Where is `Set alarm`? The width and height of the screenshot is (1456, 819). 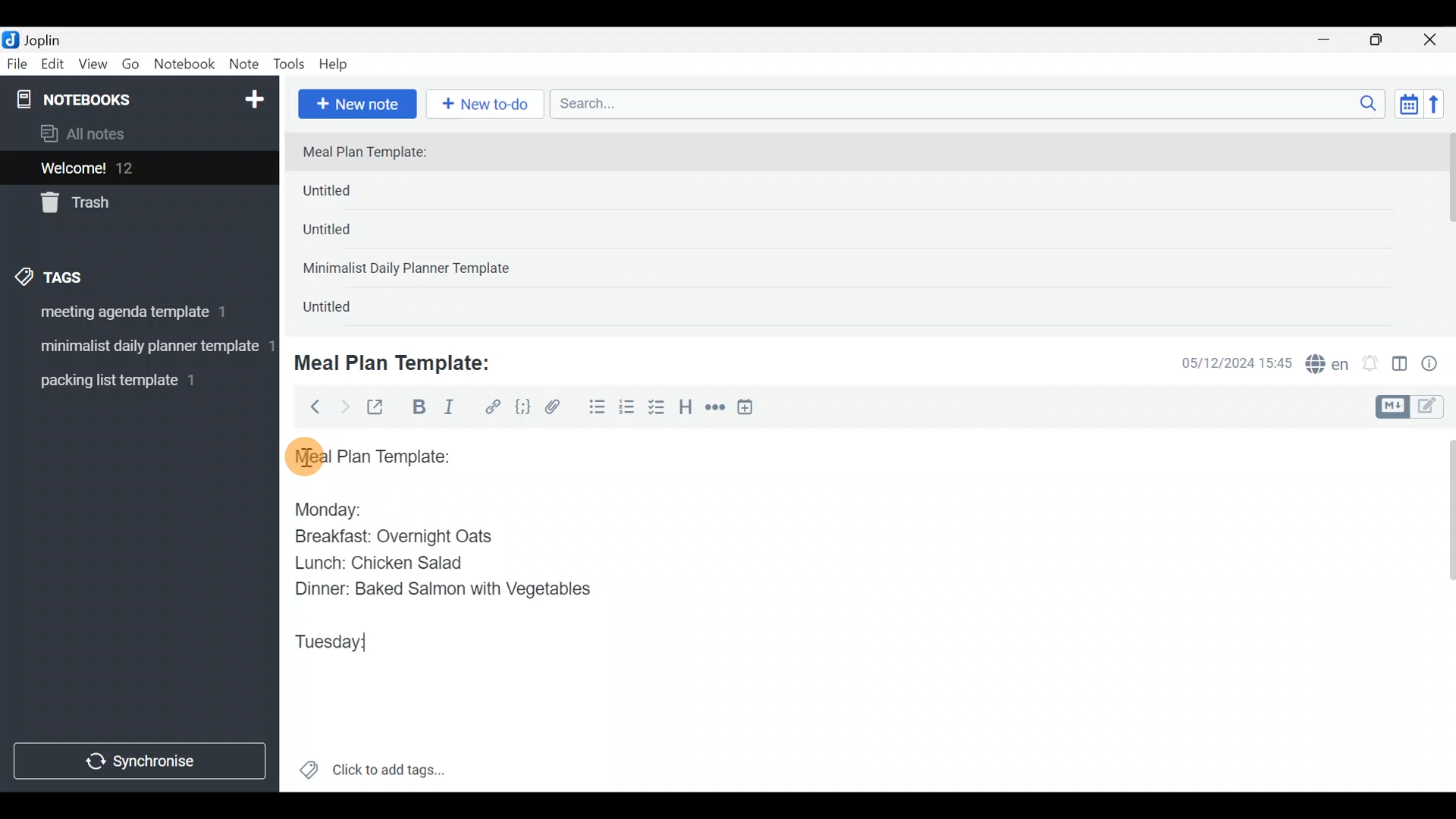
Set alarm is located at coordinates (1371, 365).